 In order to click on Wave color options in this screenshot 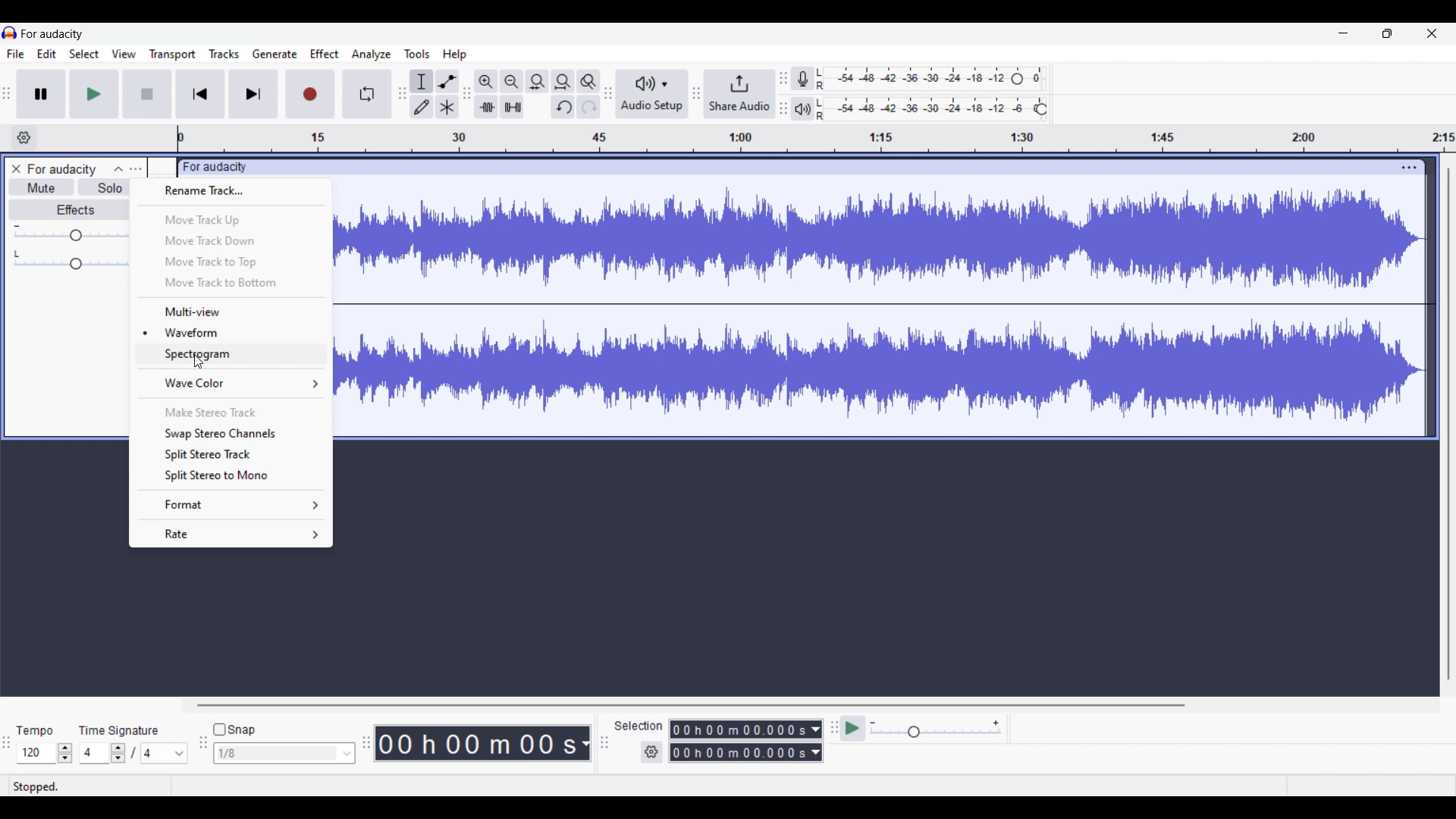, I will do `click(231, 383)`.